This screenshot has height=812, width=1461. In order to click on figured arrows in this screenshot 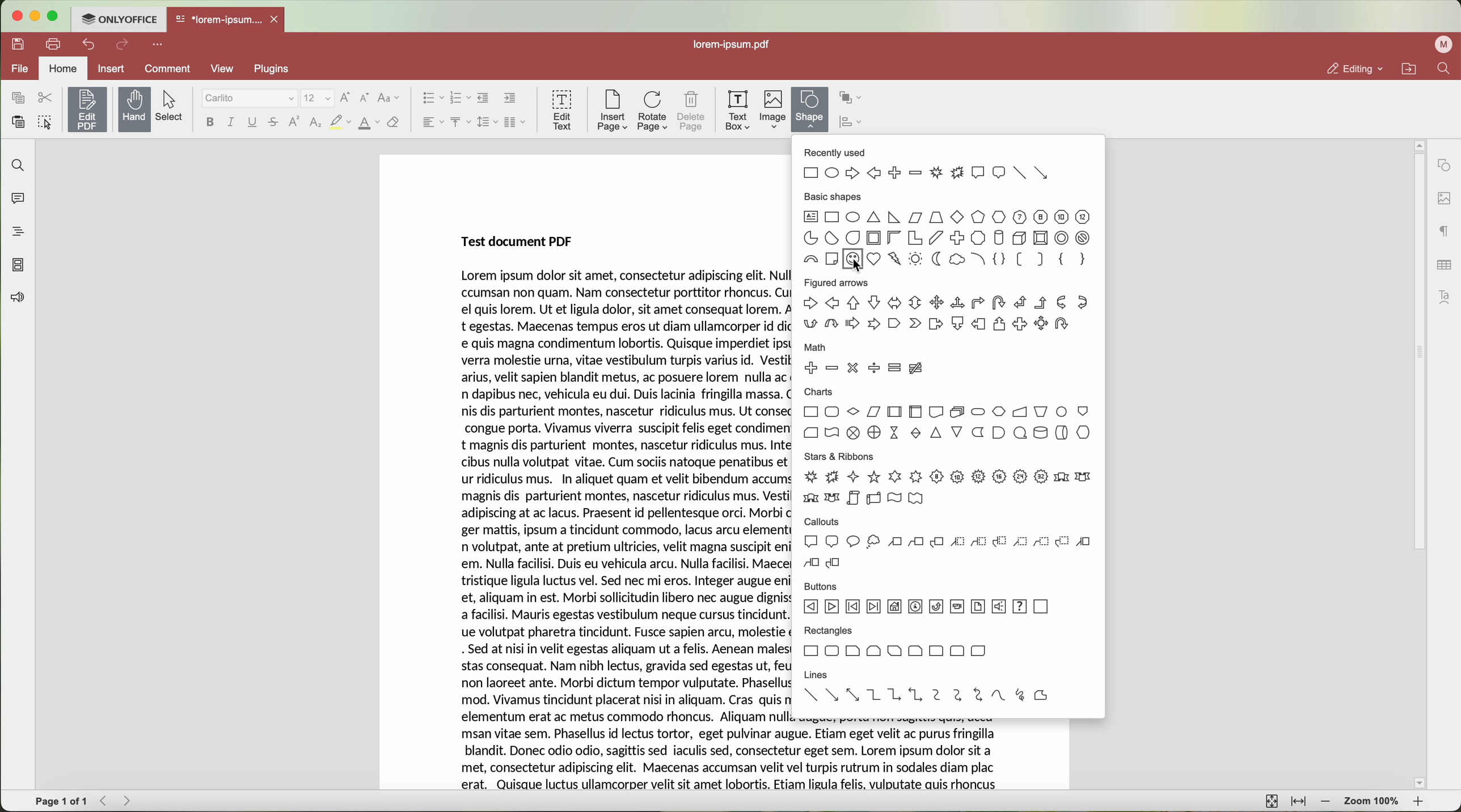, I will do `click(944, 308)`.